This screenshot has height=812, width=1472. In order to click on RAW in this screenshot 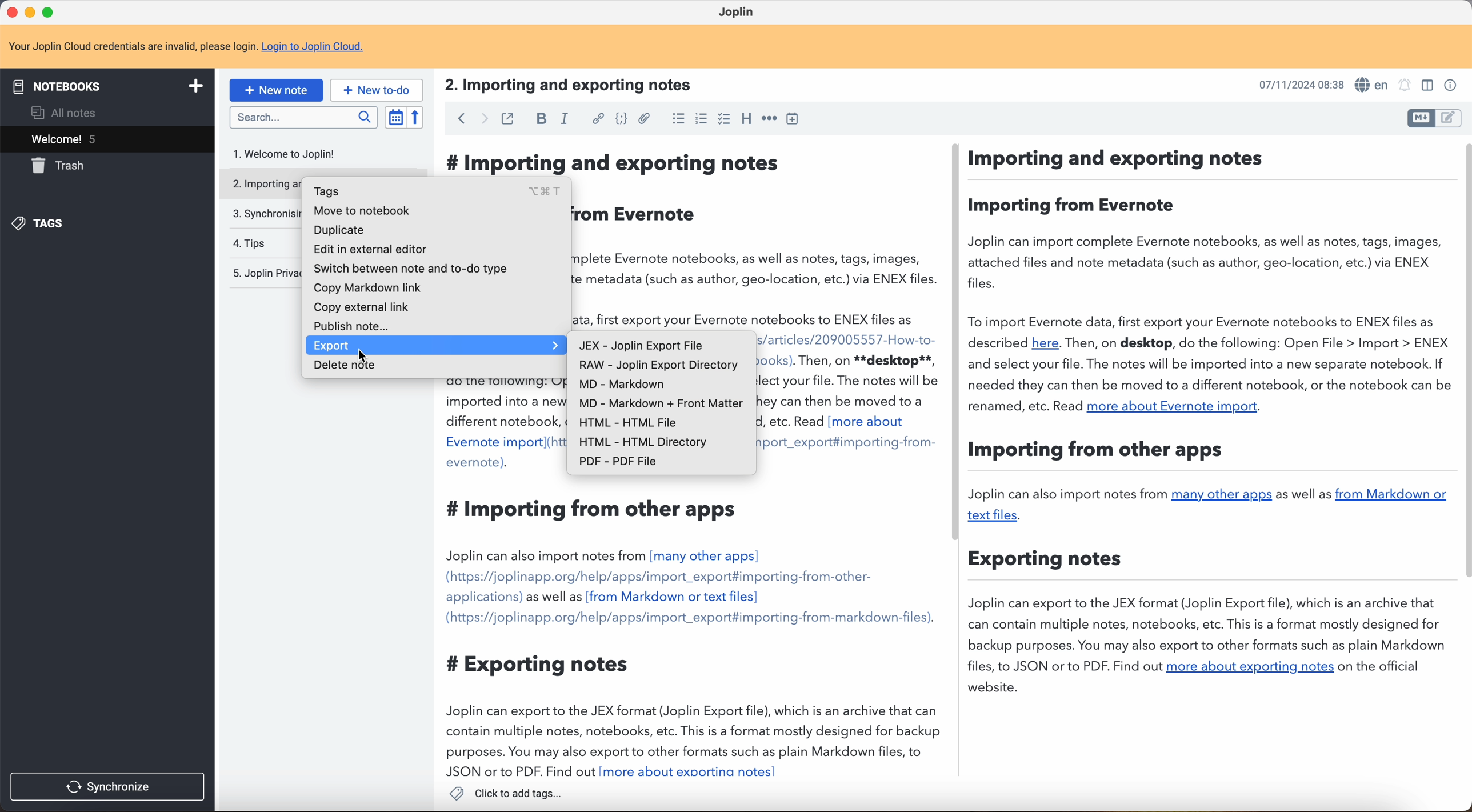, I will do `click(659, 367)`.